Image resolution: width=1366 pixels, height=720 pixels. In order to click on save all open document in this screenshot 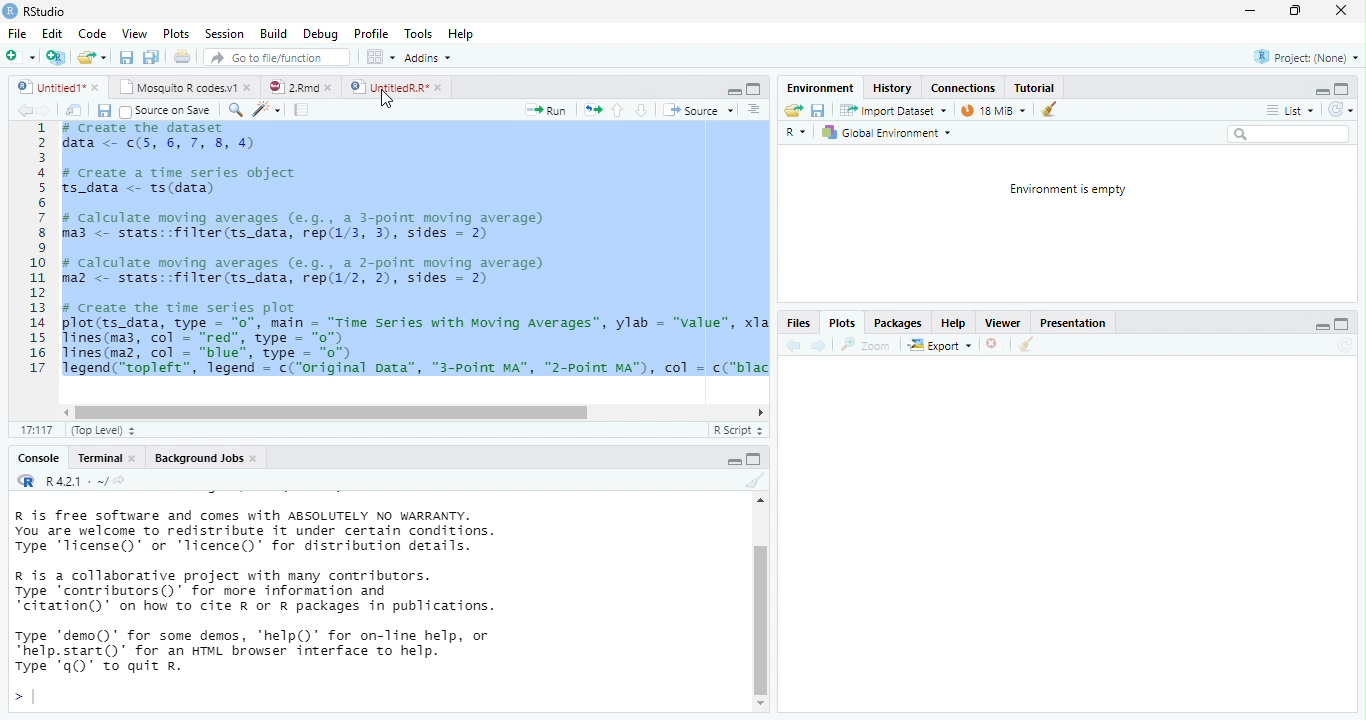, I will do `click(126, 57)`.